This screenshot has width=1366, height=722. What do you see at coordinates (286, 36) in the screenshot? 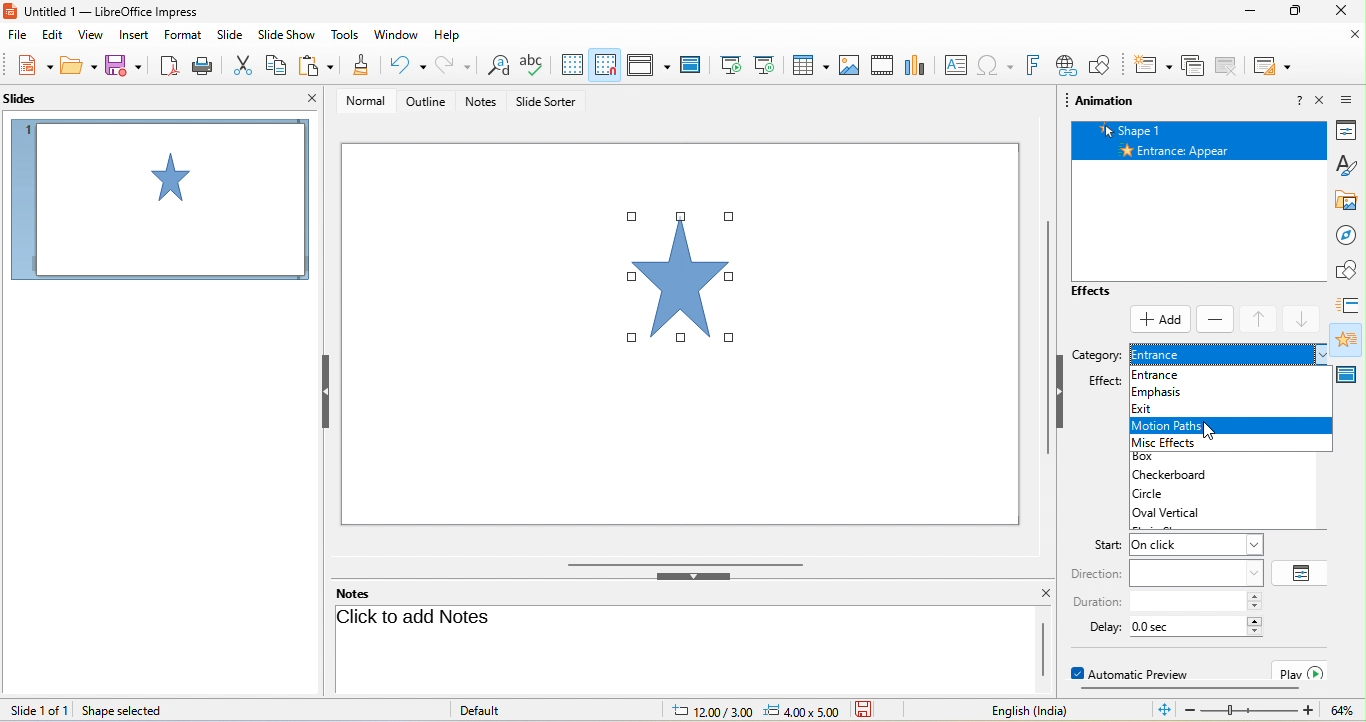
I see `slideshow` at bounding box center [286, 36].